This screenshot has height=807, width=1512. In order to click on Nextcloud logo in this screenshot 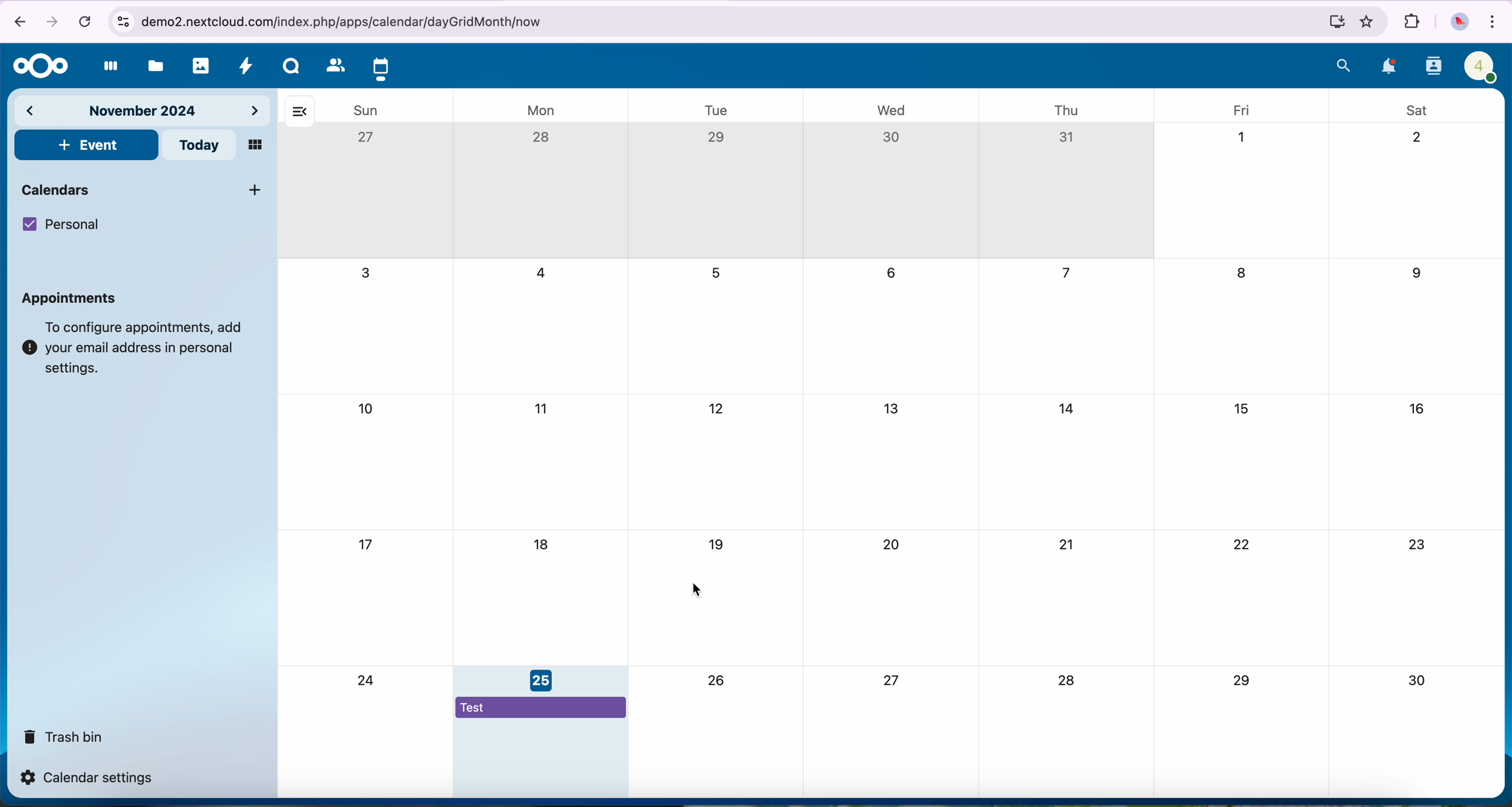, I will do `click(39, 67)`.